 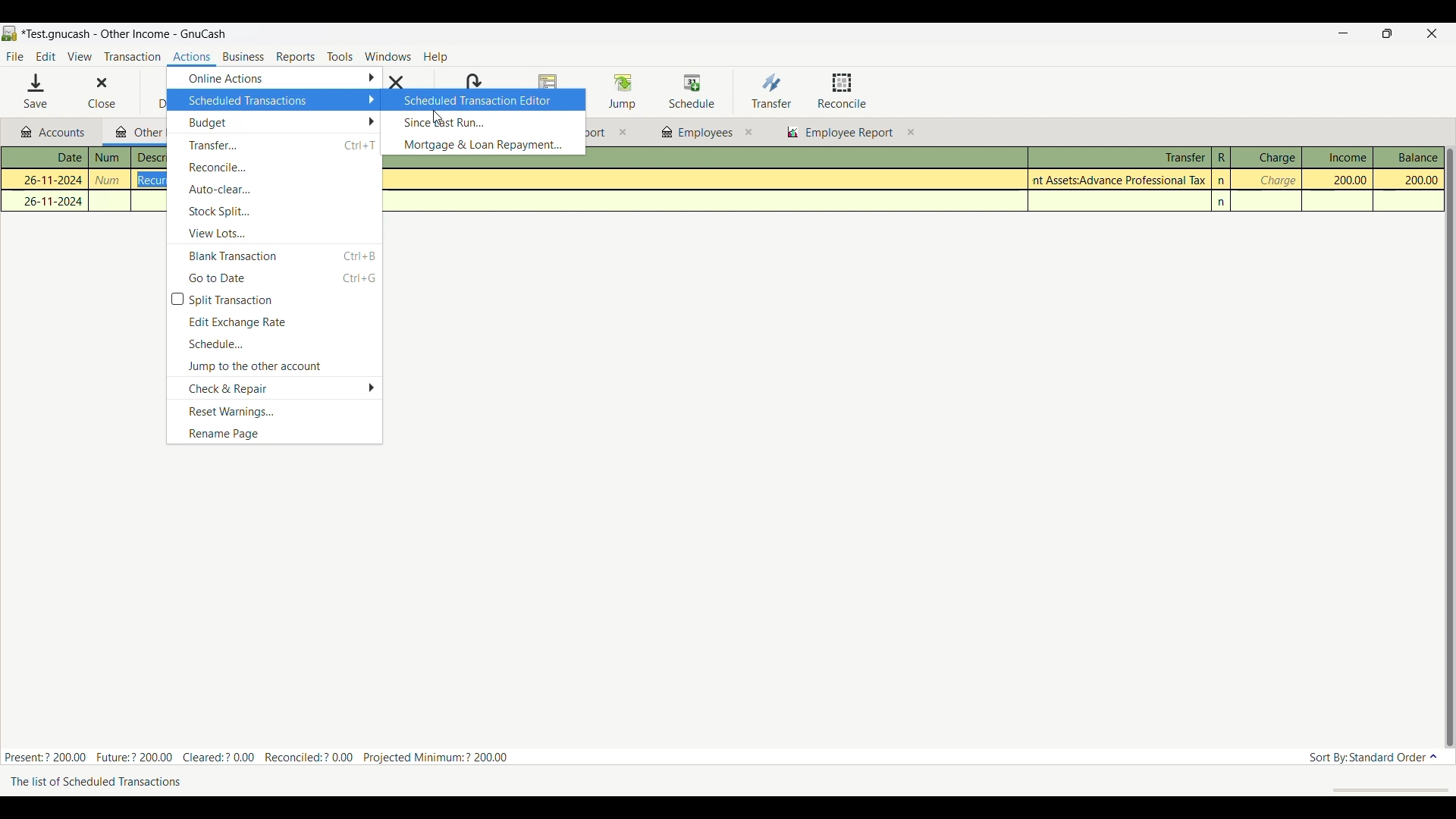 I want to click on Present:? 200.00 Future:? 200.00 Cleared:? 0.00 Reconciled:? 0.00 Projected Minimum: ? 200.00, so click(x=265, y=755).